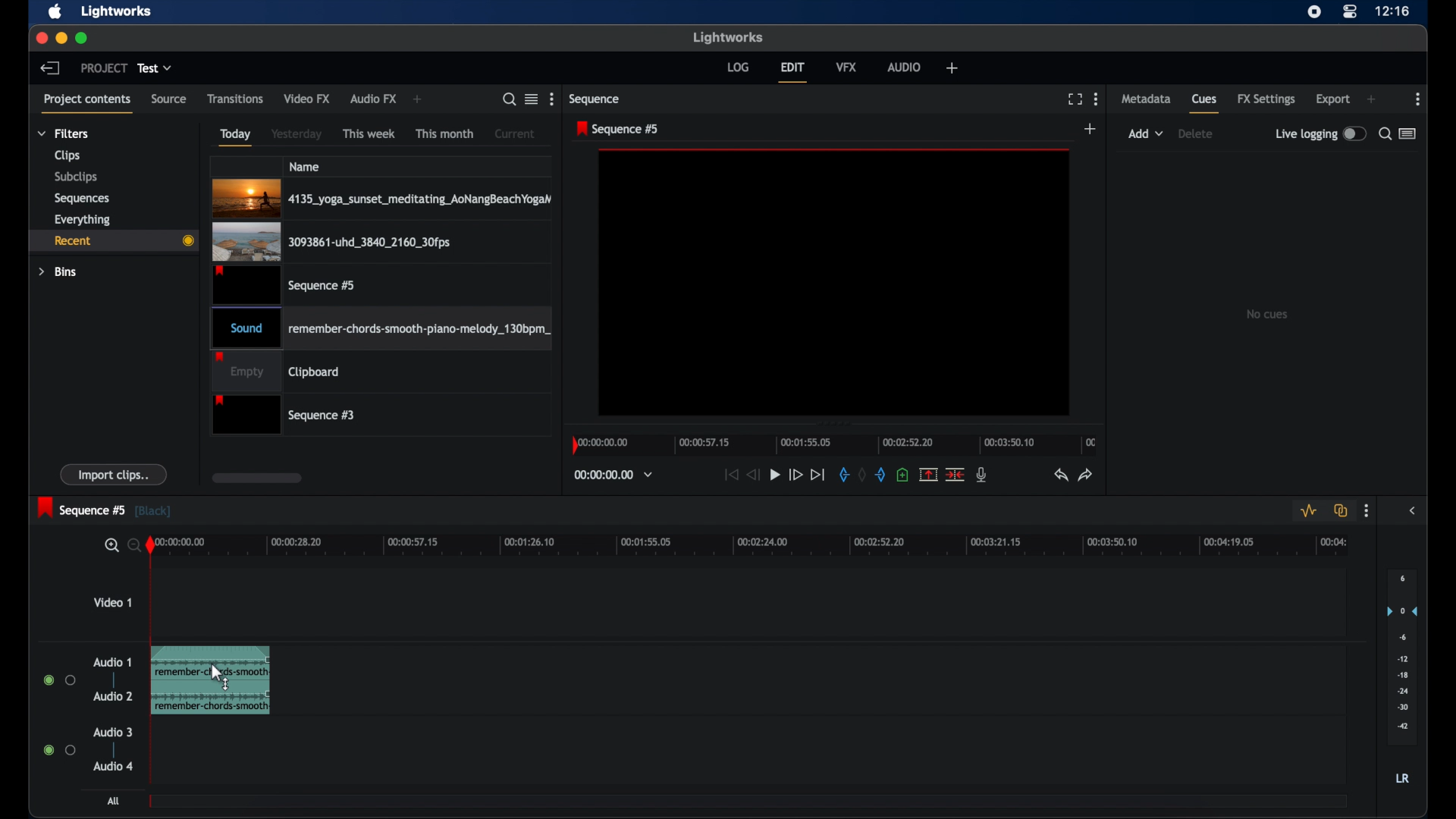  What do you see at coordinates (1096, 99) in the screenshot?
I see `more options` at bounding box center [1096, 99].